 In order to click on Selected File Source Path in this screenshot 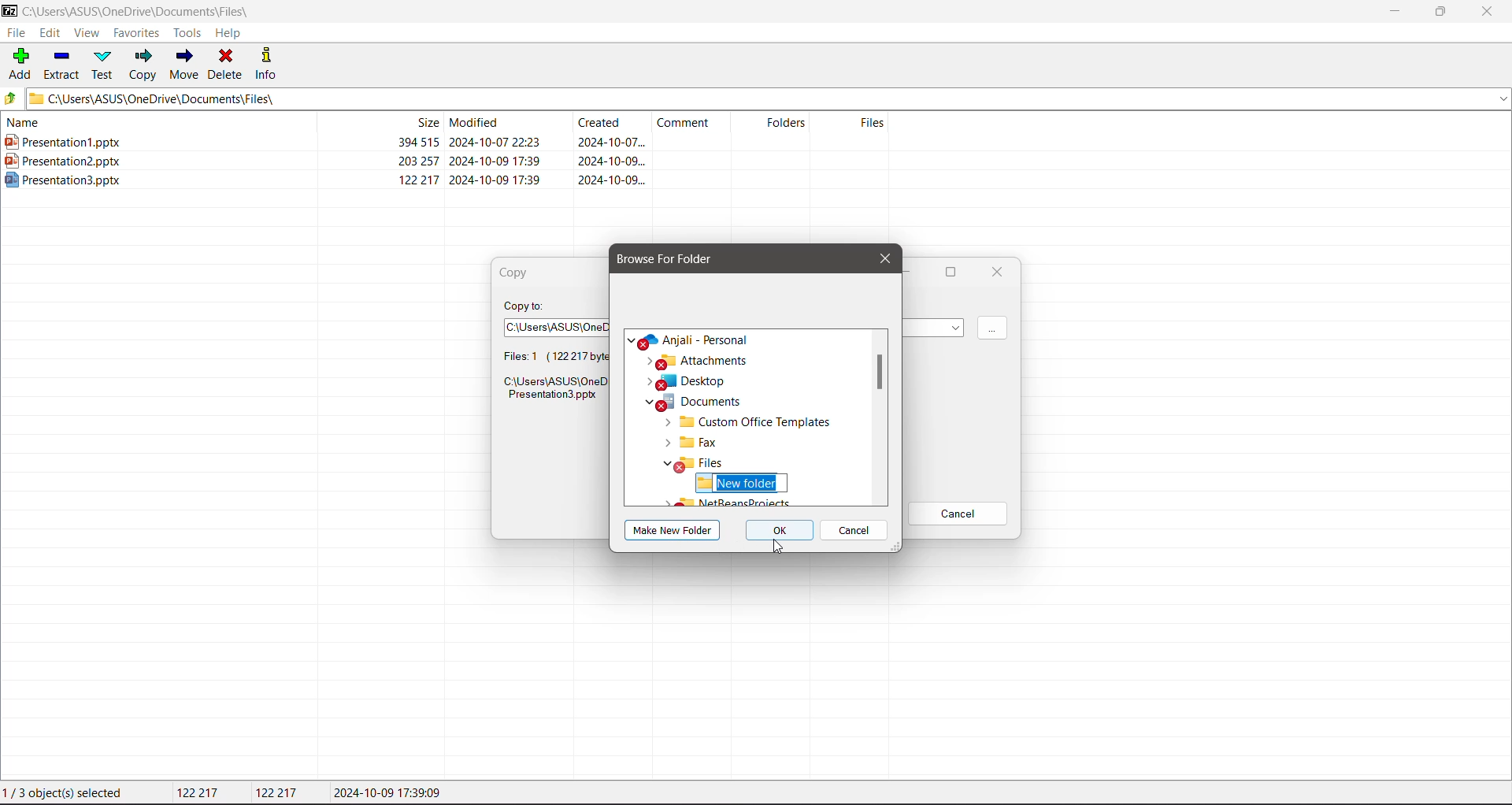, I will do `click(552, 391)`.